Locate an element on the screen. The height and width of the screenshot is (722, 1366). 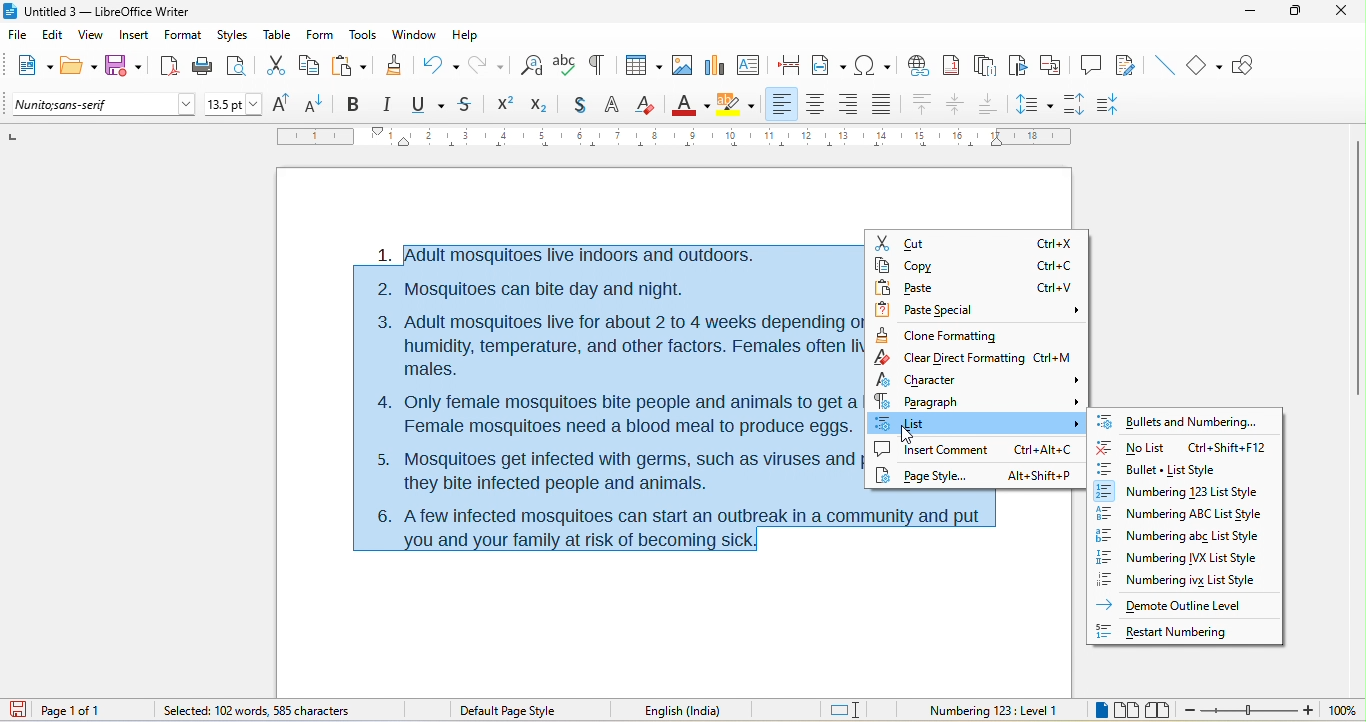
outline font effect is located at coordinates (612, 107).